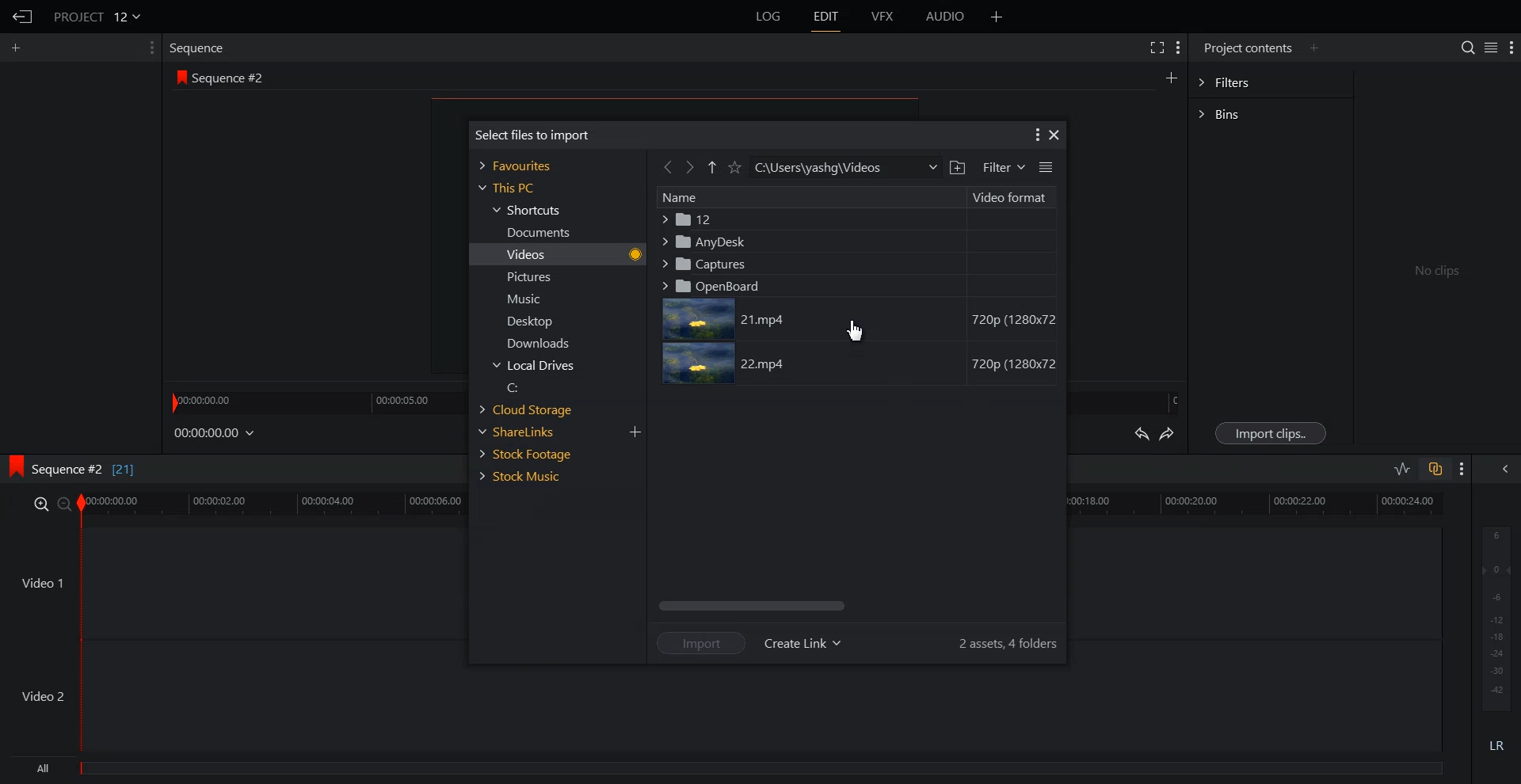 The height and width of the screenshot is (784, 1521). Describe the element at coordinates (1012, 198) in the screenshot. I see `Video Format` at that location.